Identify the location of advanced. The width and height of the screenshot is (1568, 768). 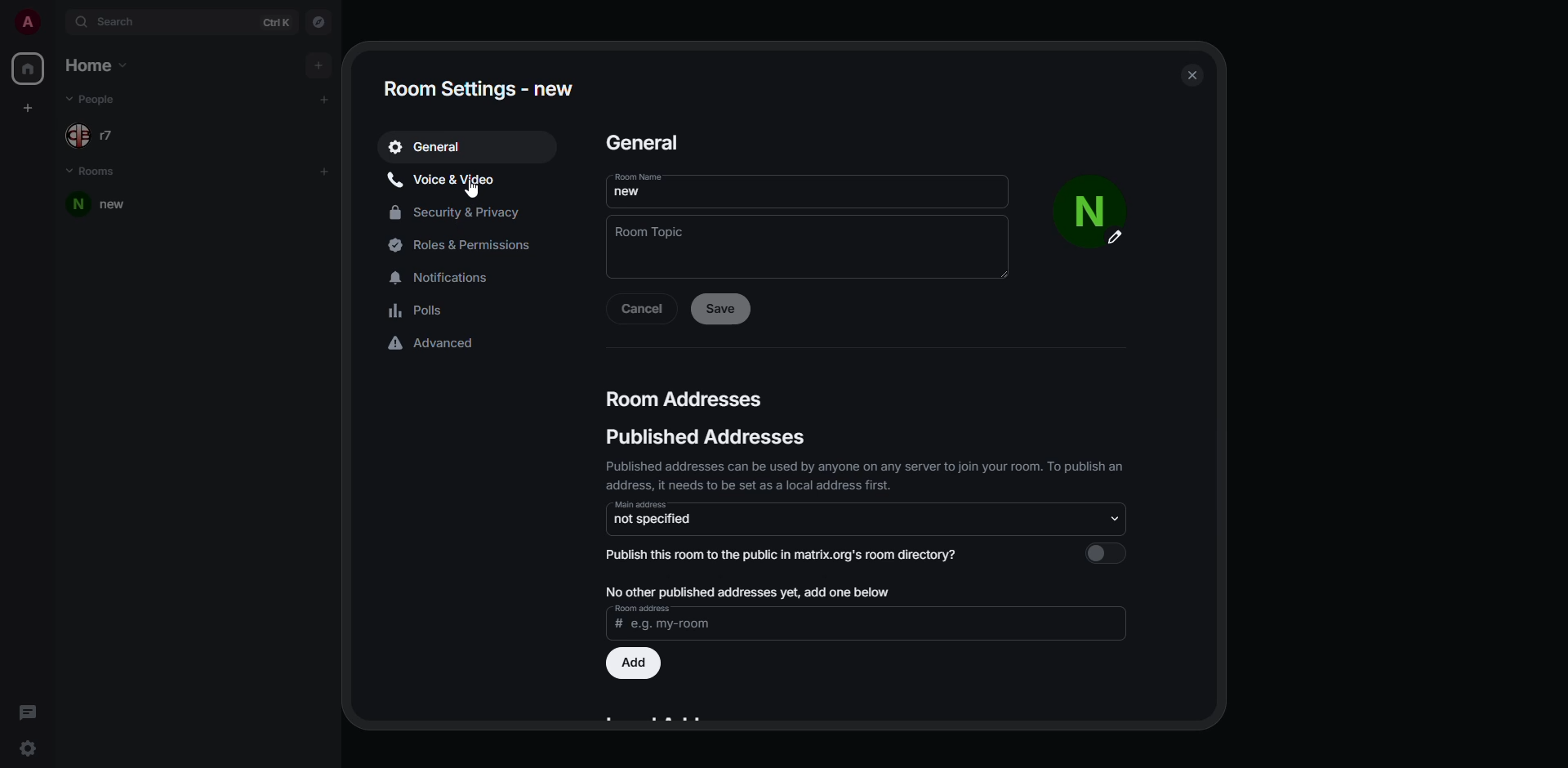
(436, 345).